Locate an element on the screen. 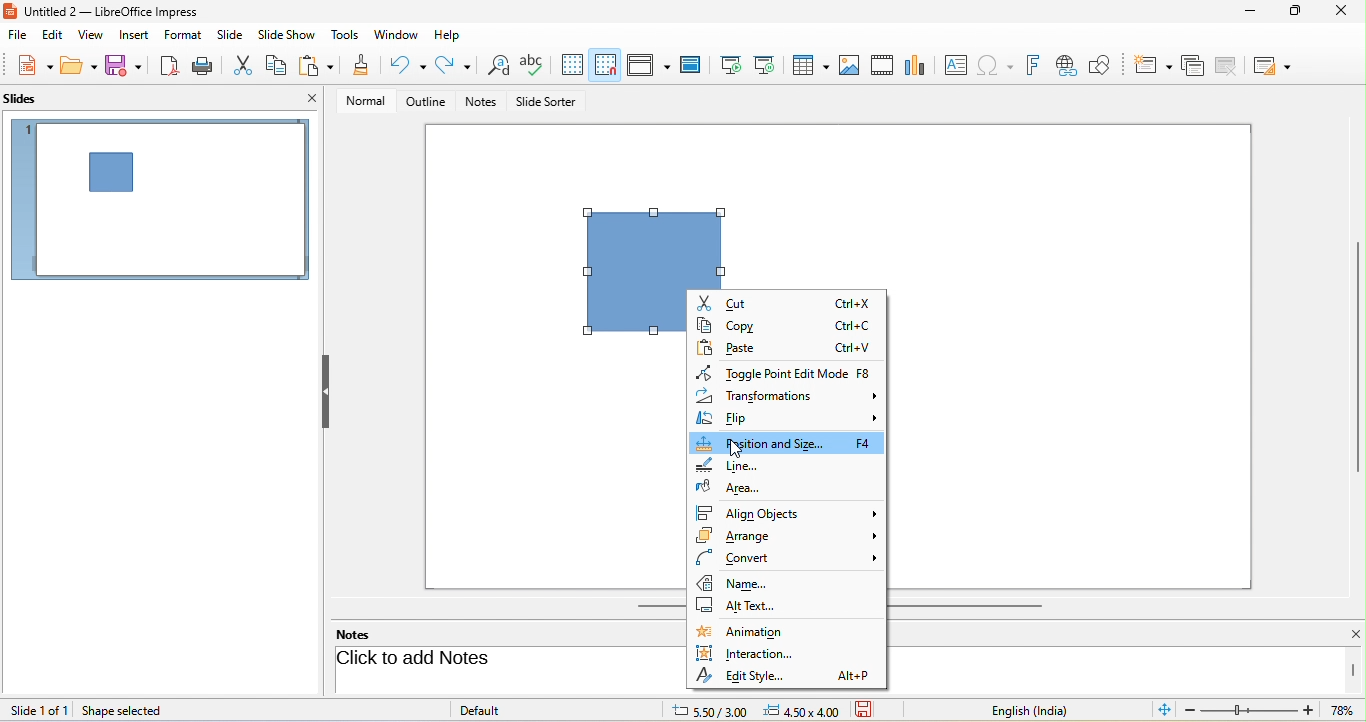 The height and width of the screenshot is (722, 1366). untitled 2-libre office impress is located at coordinates (123, 10).